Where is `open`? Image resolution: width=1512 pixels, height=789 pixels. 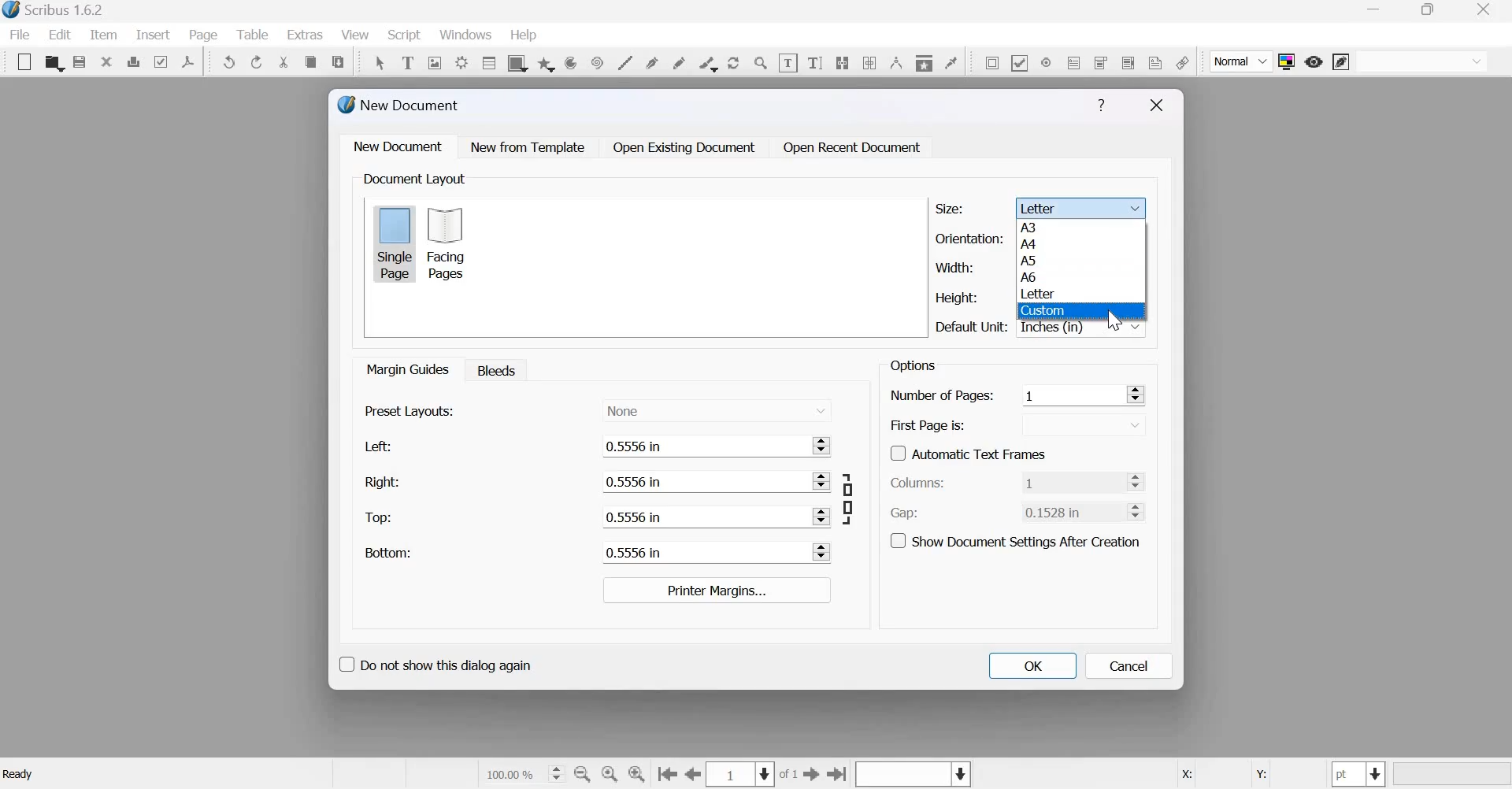 open is located at coordinates (54, 63).